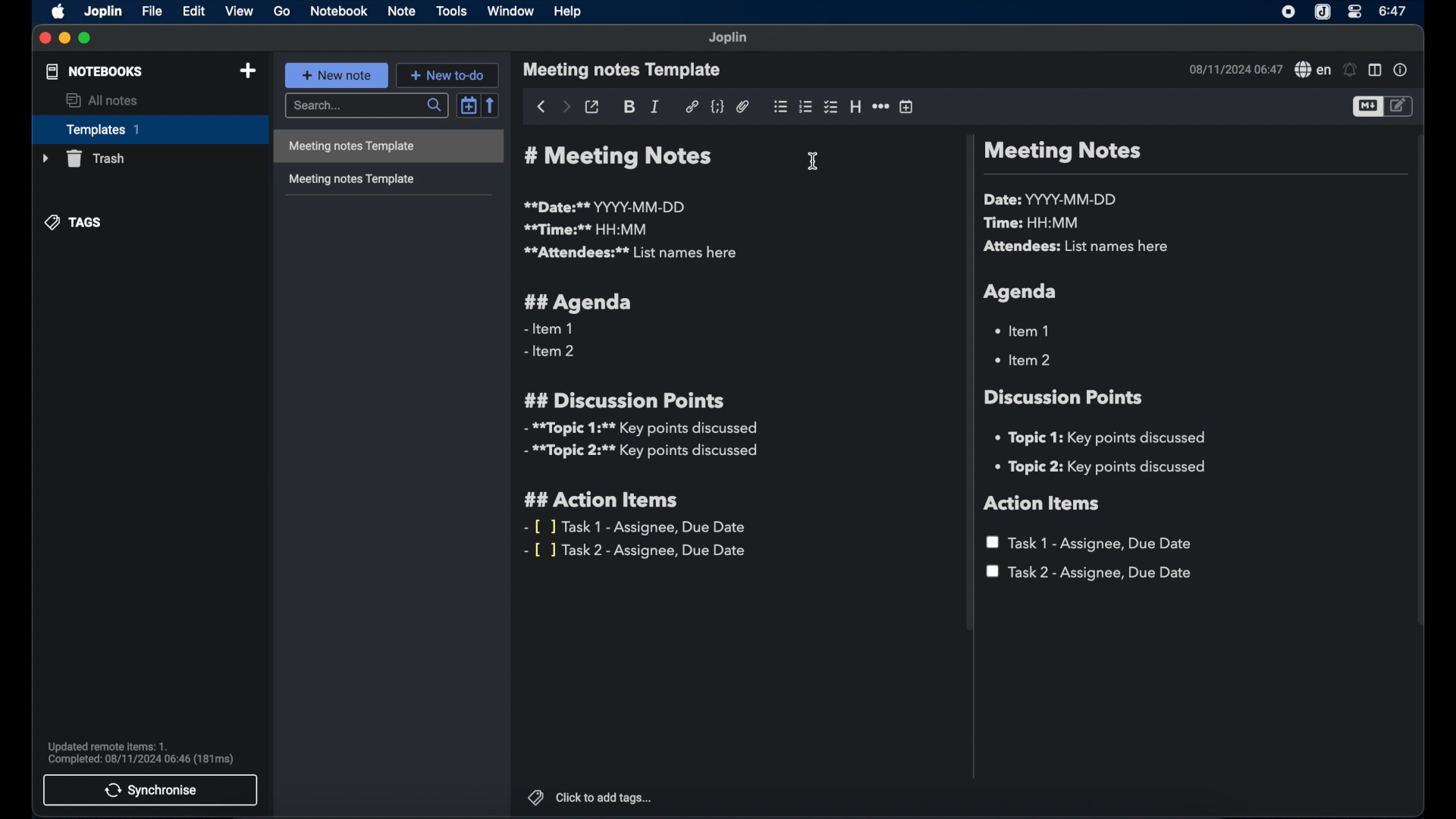  Describe the element at coordinates (143, 752) in the screenshot. I see `updated remote item 1. completed: 08/11/2024 06:46 (181 ms) ` at that location.